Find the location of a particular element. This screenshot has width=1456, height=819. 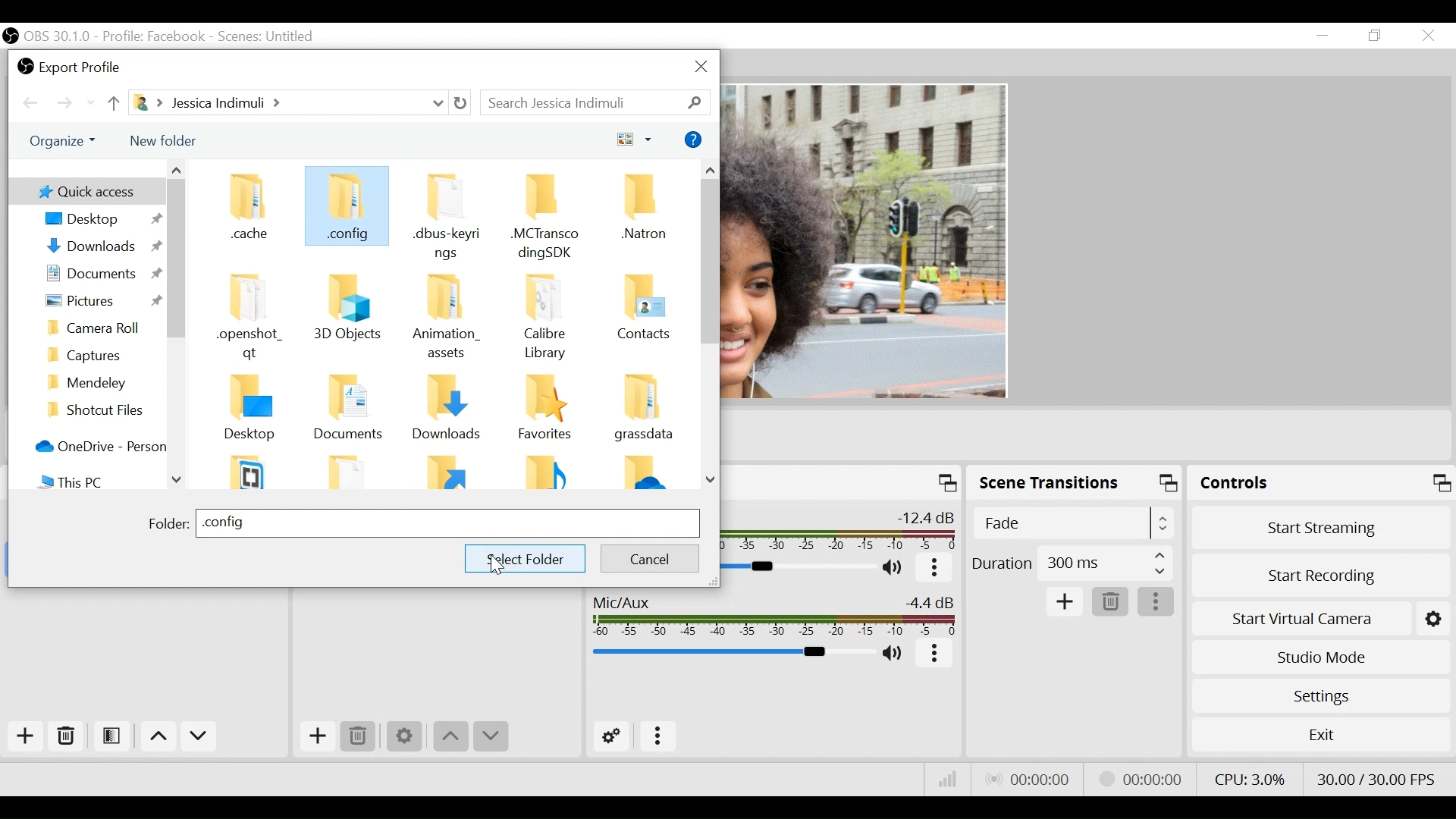

Folder is located at coordinates (256, 318).